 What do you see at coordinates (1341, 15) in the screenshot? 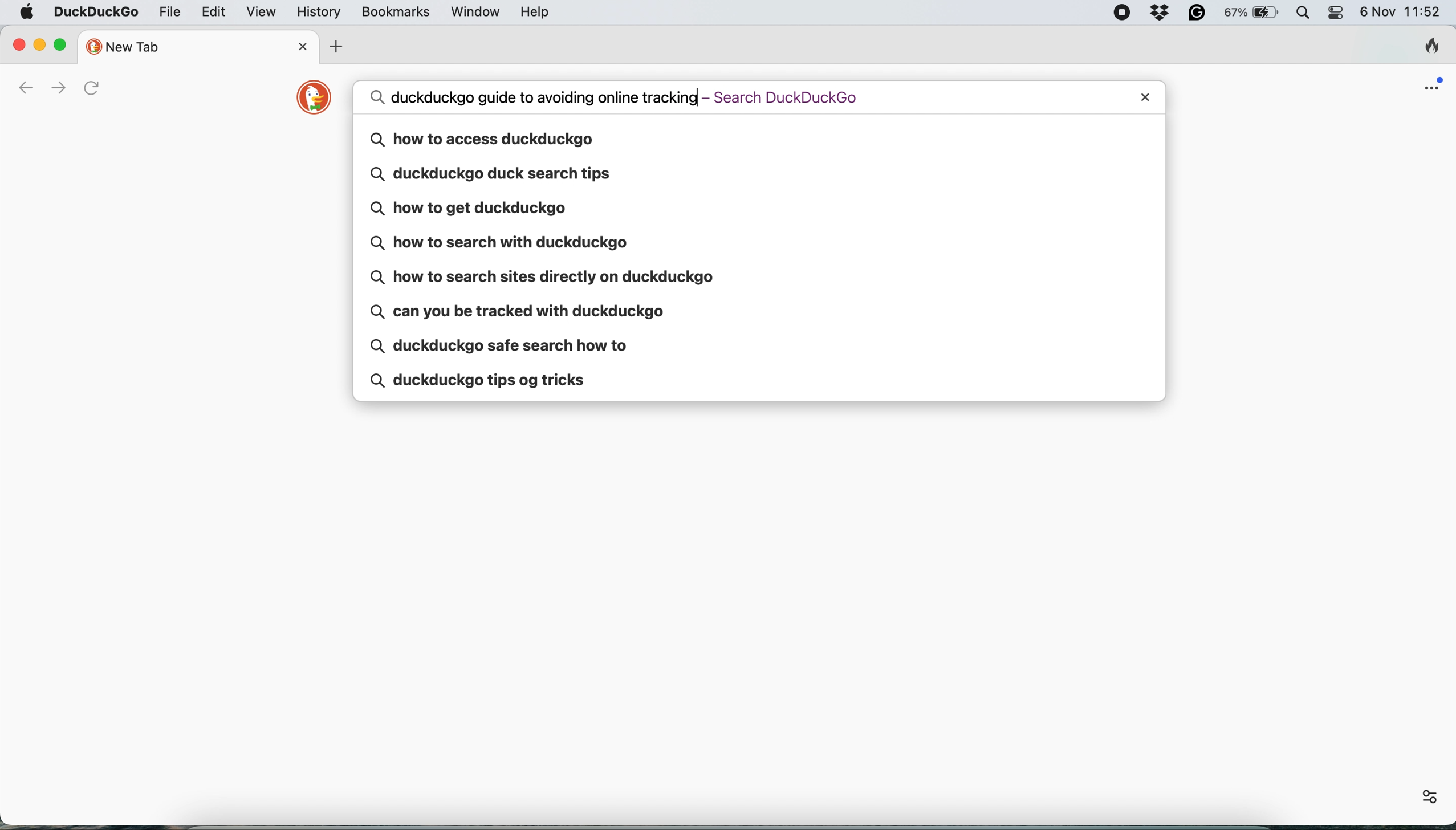
I see `control center` at bounding box center [1341, 15].